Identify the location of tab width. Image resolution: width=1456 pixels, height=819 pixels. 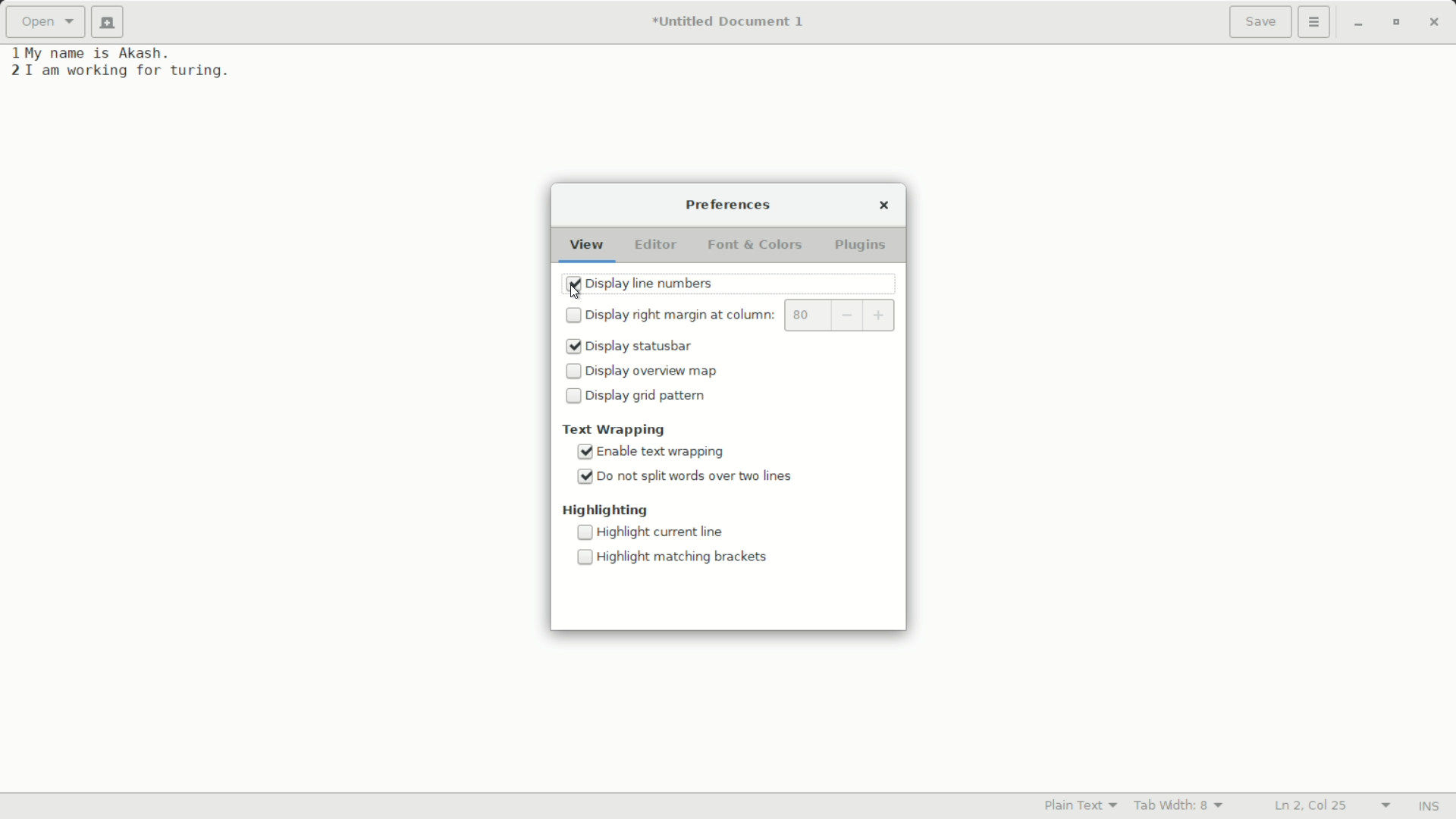
(1181, 805).